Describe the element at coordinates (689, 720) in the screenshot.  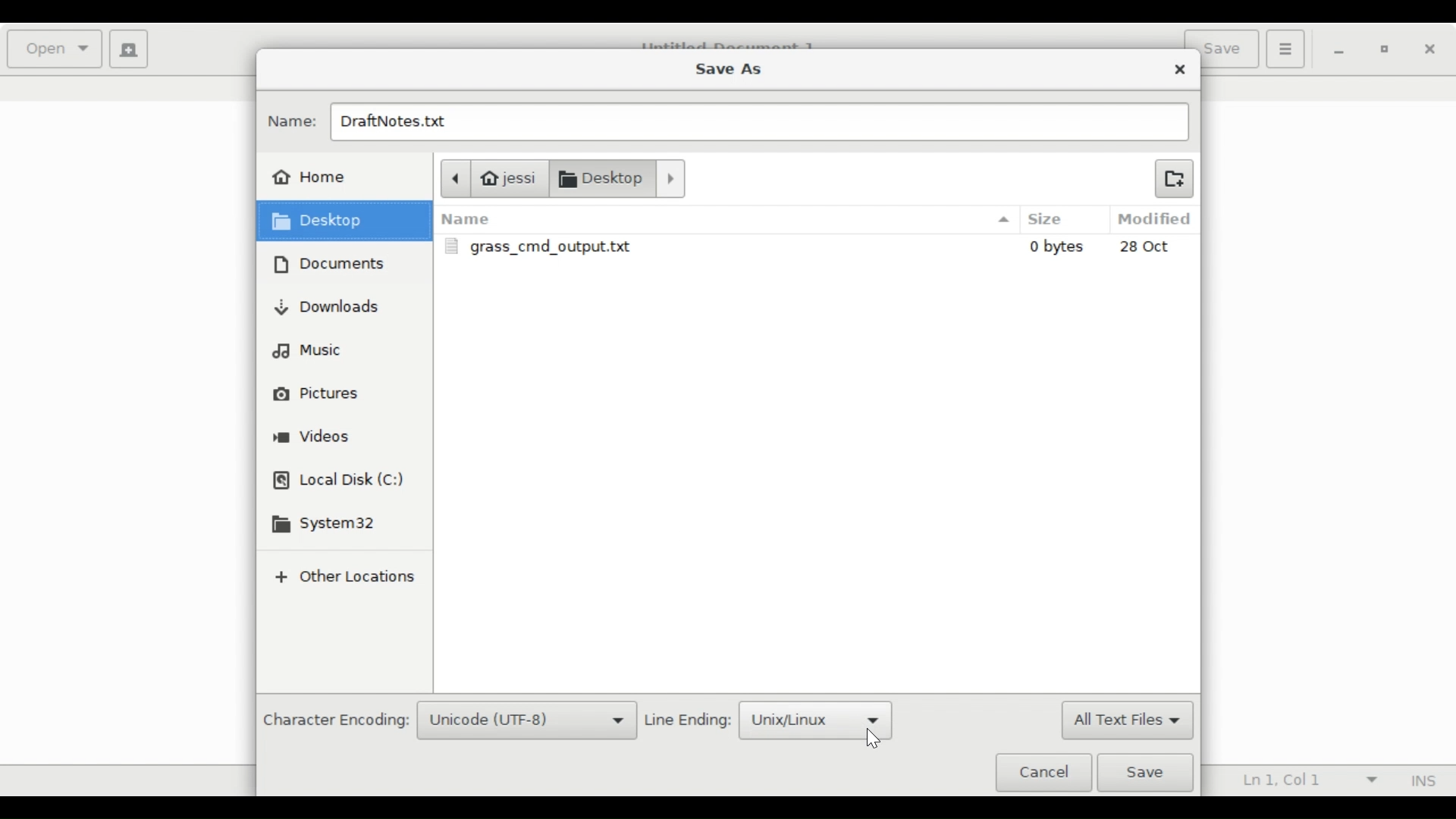
I see `Line Ending` at that location.